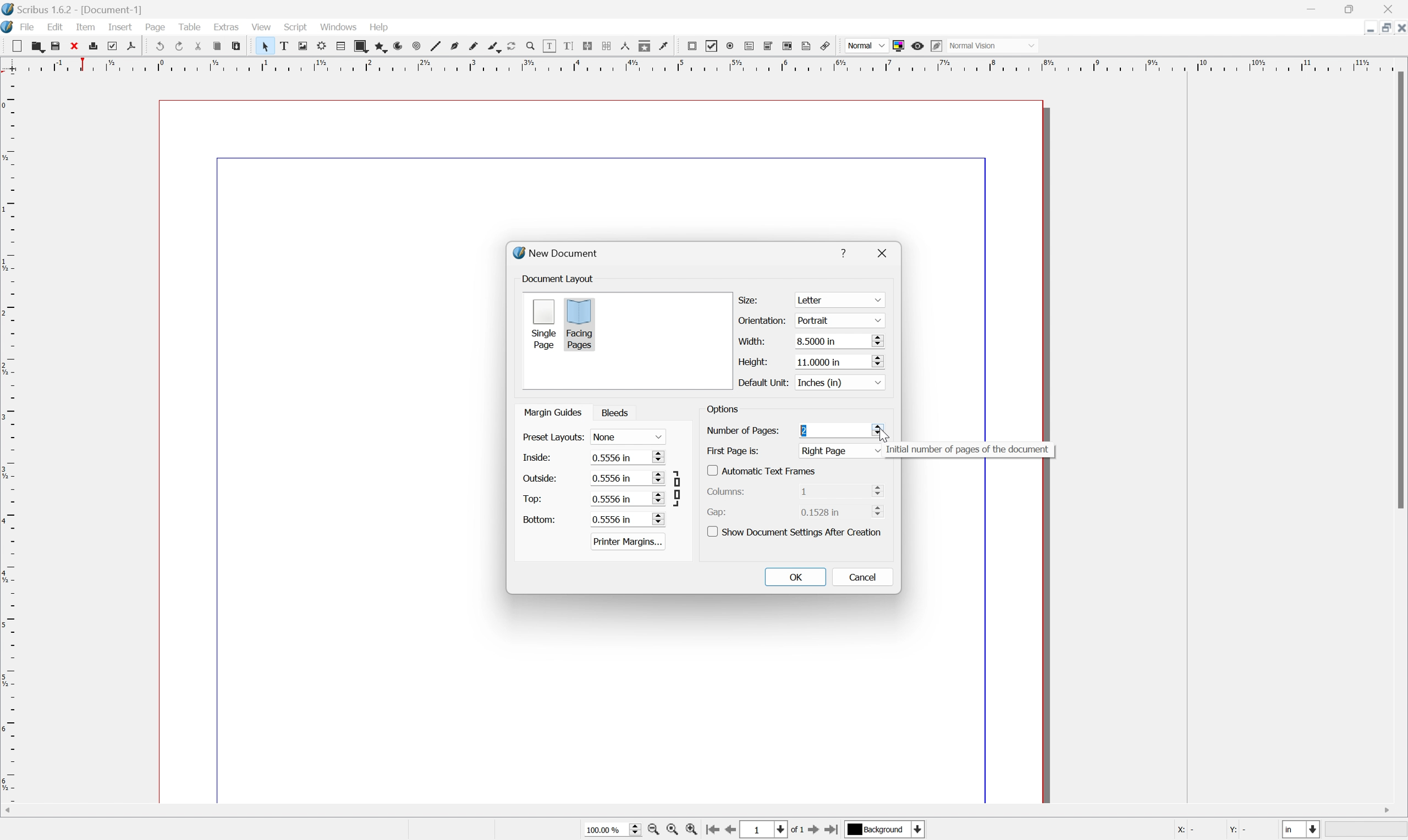 The height and width of the screenshot is (840, 1408). I want to click on pdf text field, so click(751, 45).